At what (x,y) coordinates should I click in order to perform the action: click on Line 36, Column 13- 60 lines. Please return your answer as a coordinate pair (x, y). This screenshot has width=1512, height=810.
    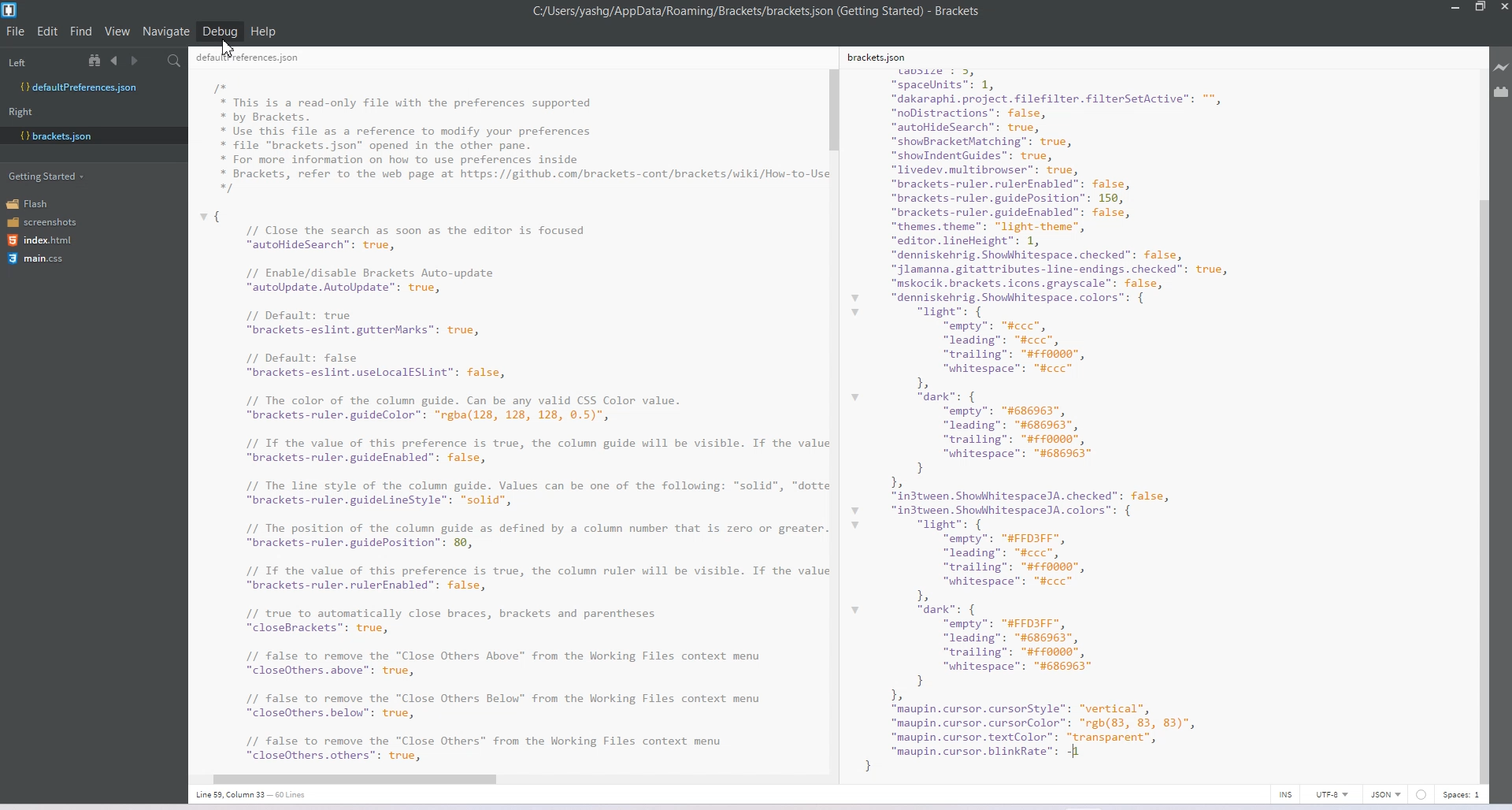
    Looking at the image, I should click on (259, 795).